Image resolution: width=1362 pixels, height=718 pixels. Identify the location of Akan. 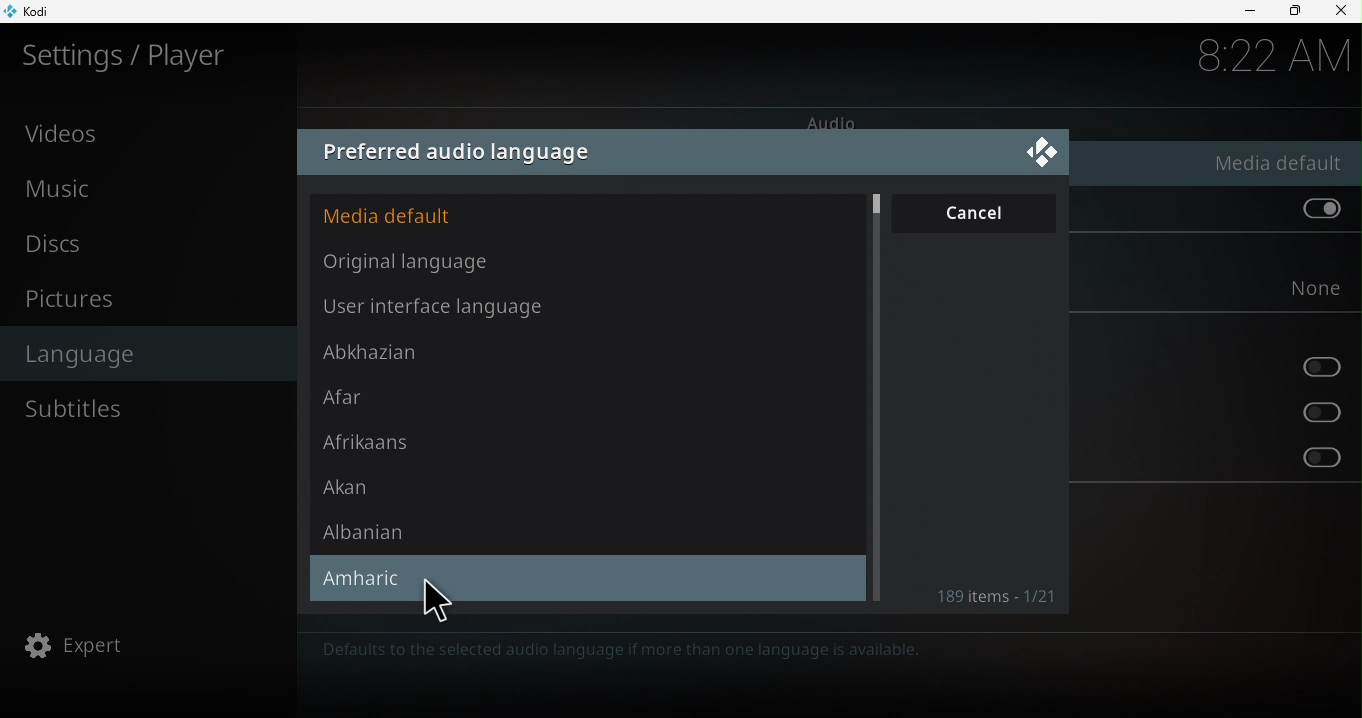
(582, 487).